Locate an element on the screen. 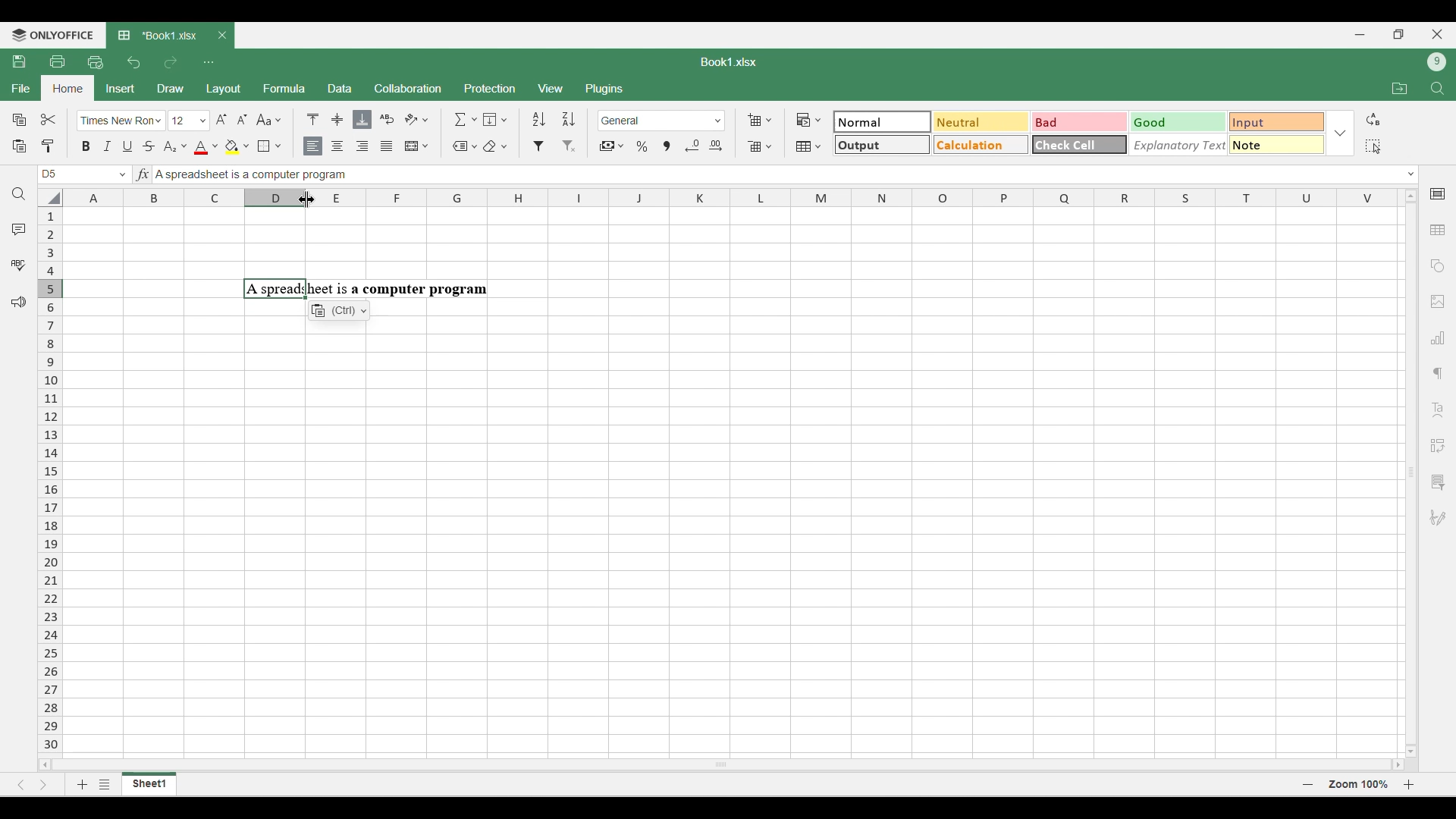 Image resolution: width=1456 pixels, height=819 pixels. Add sheets is located at coordinates (83, 784).